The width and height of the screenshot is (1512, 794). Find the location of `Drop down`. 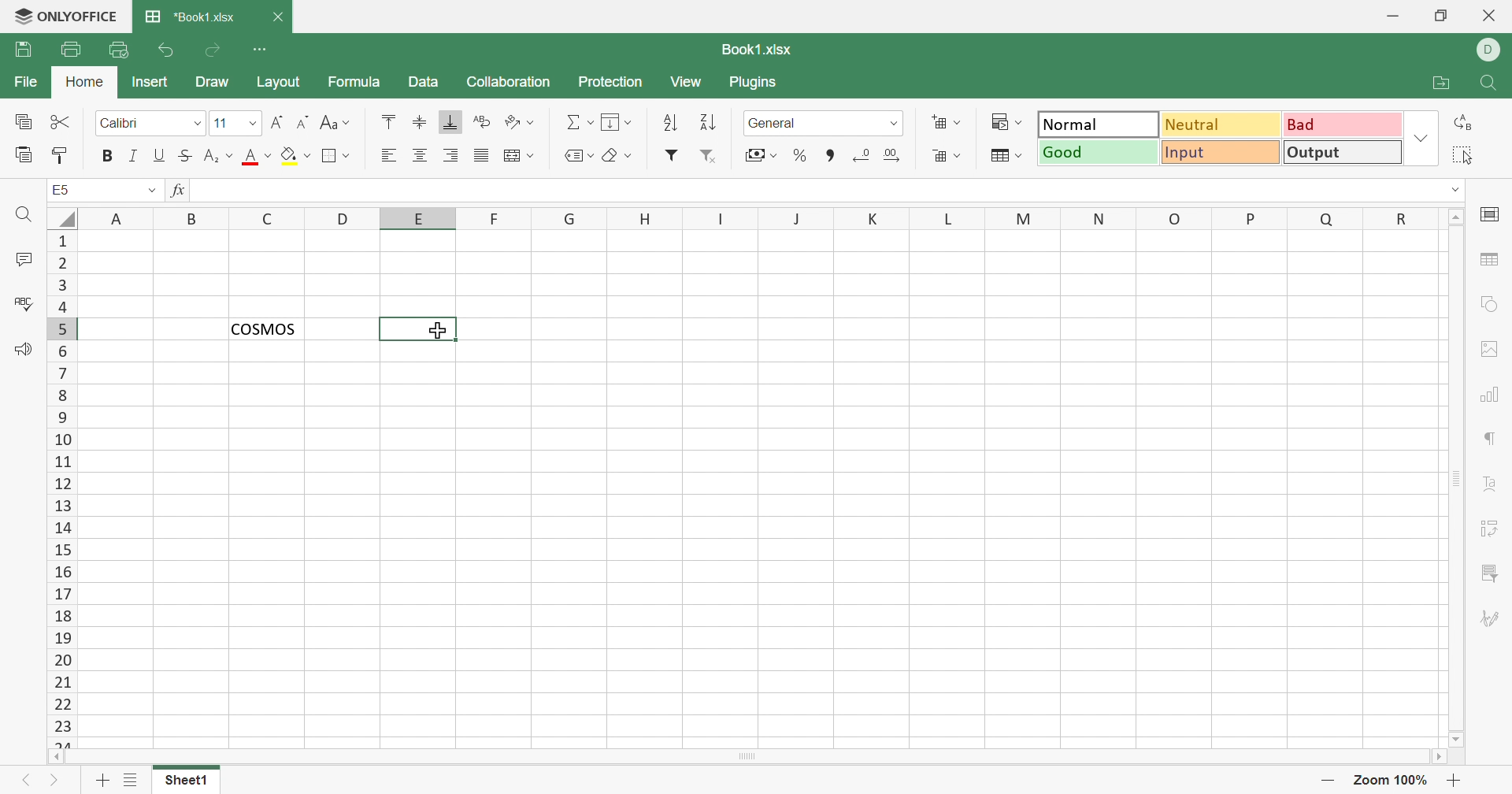

Drop down is located at coordinates (1421, 139).